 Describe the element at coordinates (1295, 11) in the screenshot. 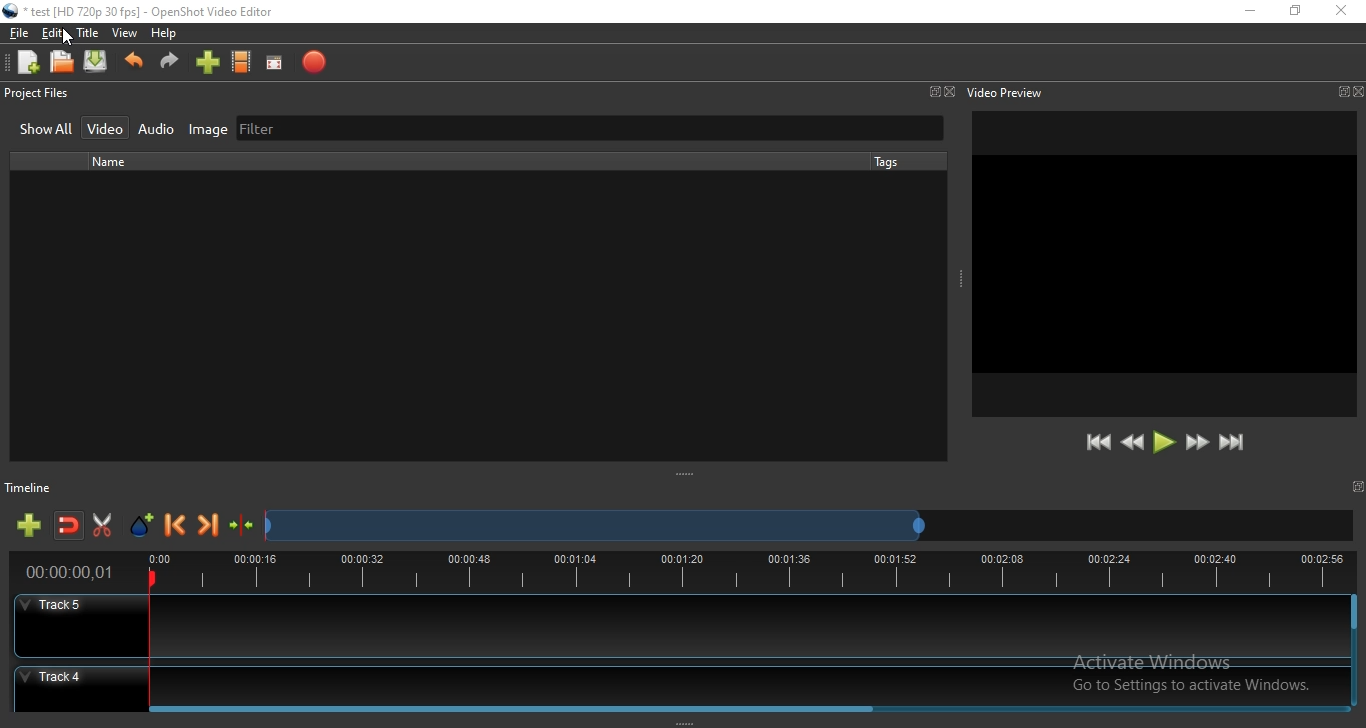

I see `Restore` at that location.